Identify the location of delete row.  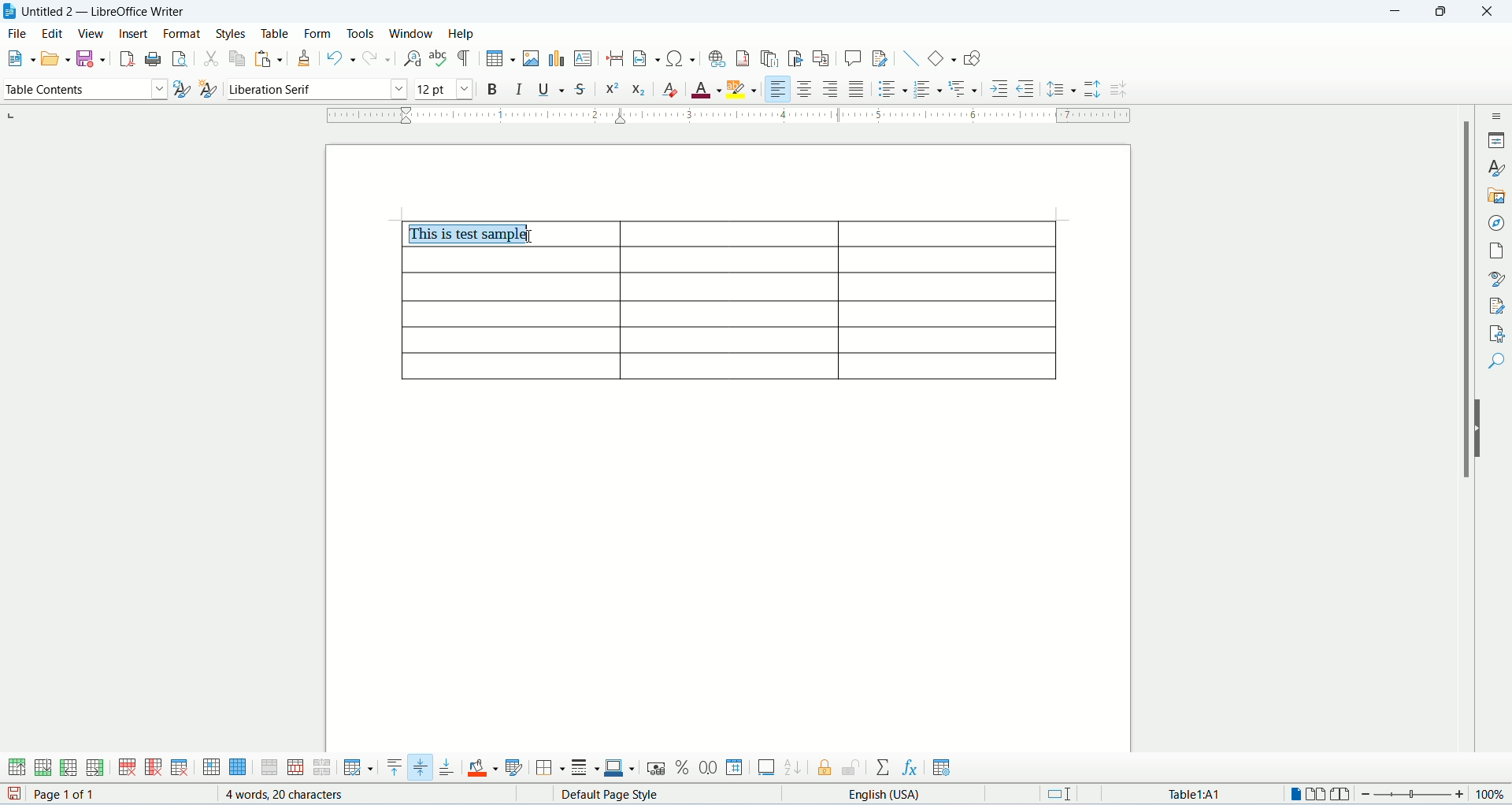
(129, 769).